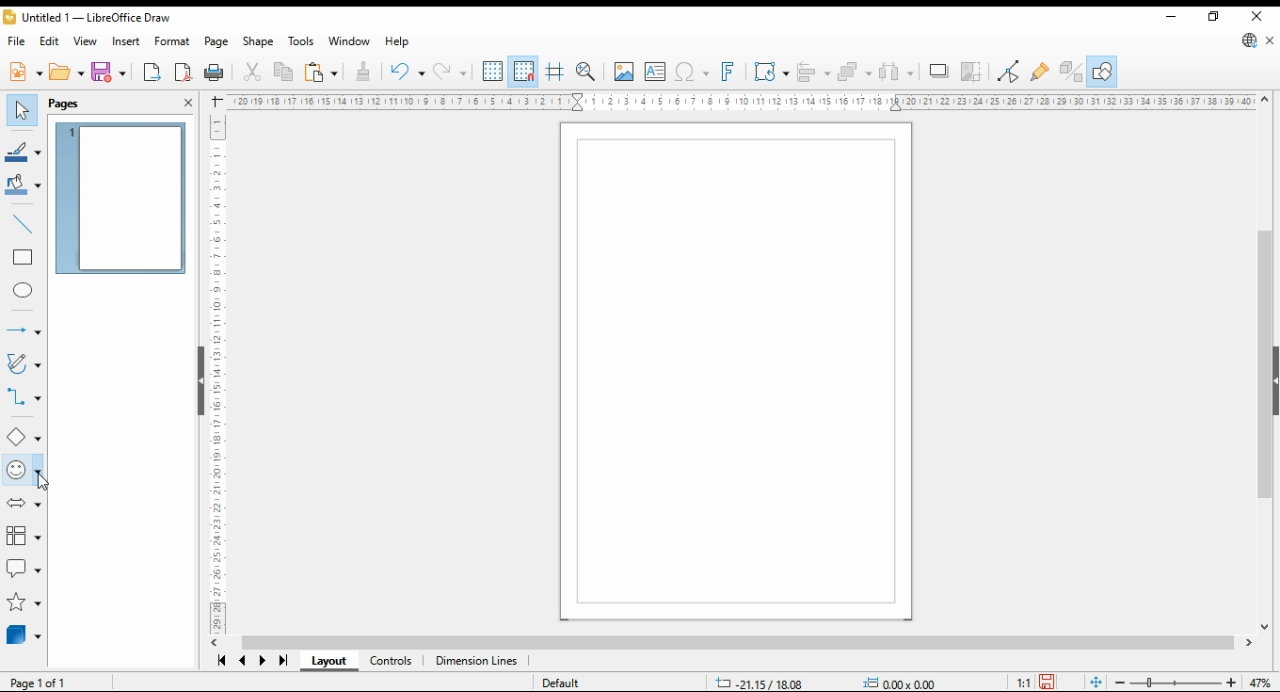 The height and width of the screenshot is (692, 1280). What do you see at coordinates (524, 70) in the screenshot?
I see `snap to grid` at bounding box center [524, 70].